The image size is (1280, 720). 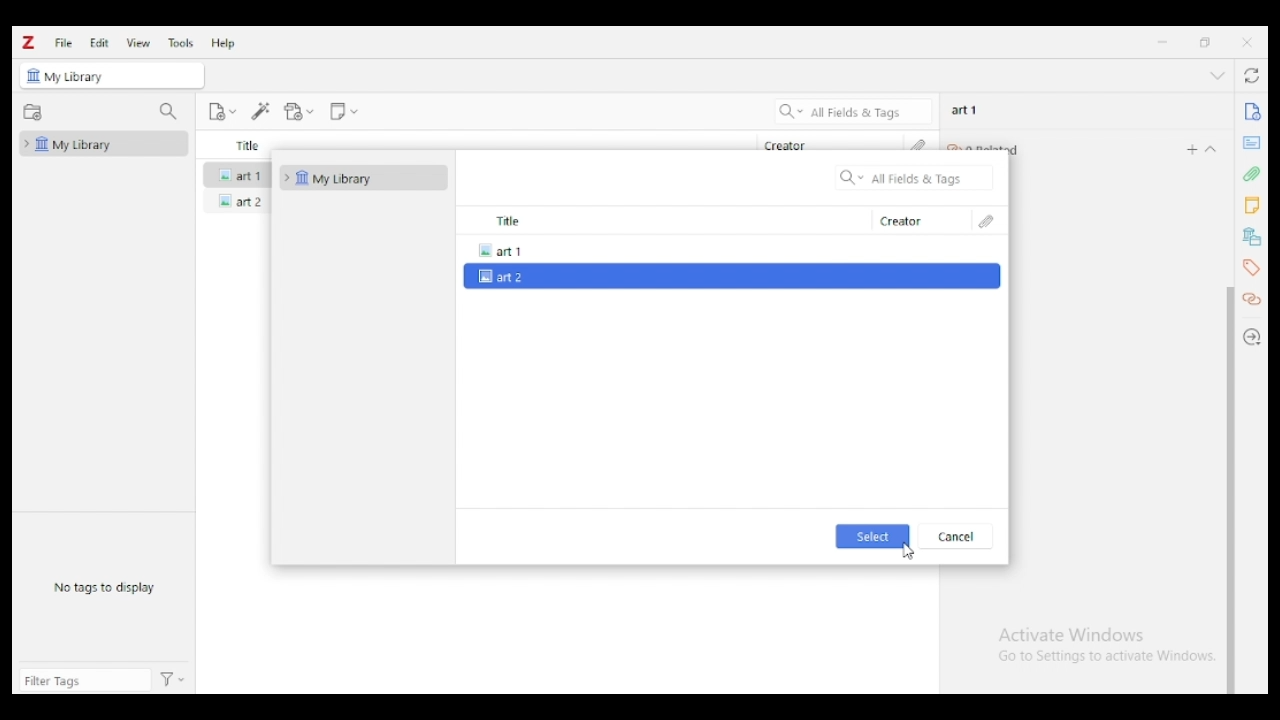 What do you see at coordinates (955, 536) in the screenshot?
I see `cancel` at bounding box center [955, 536].